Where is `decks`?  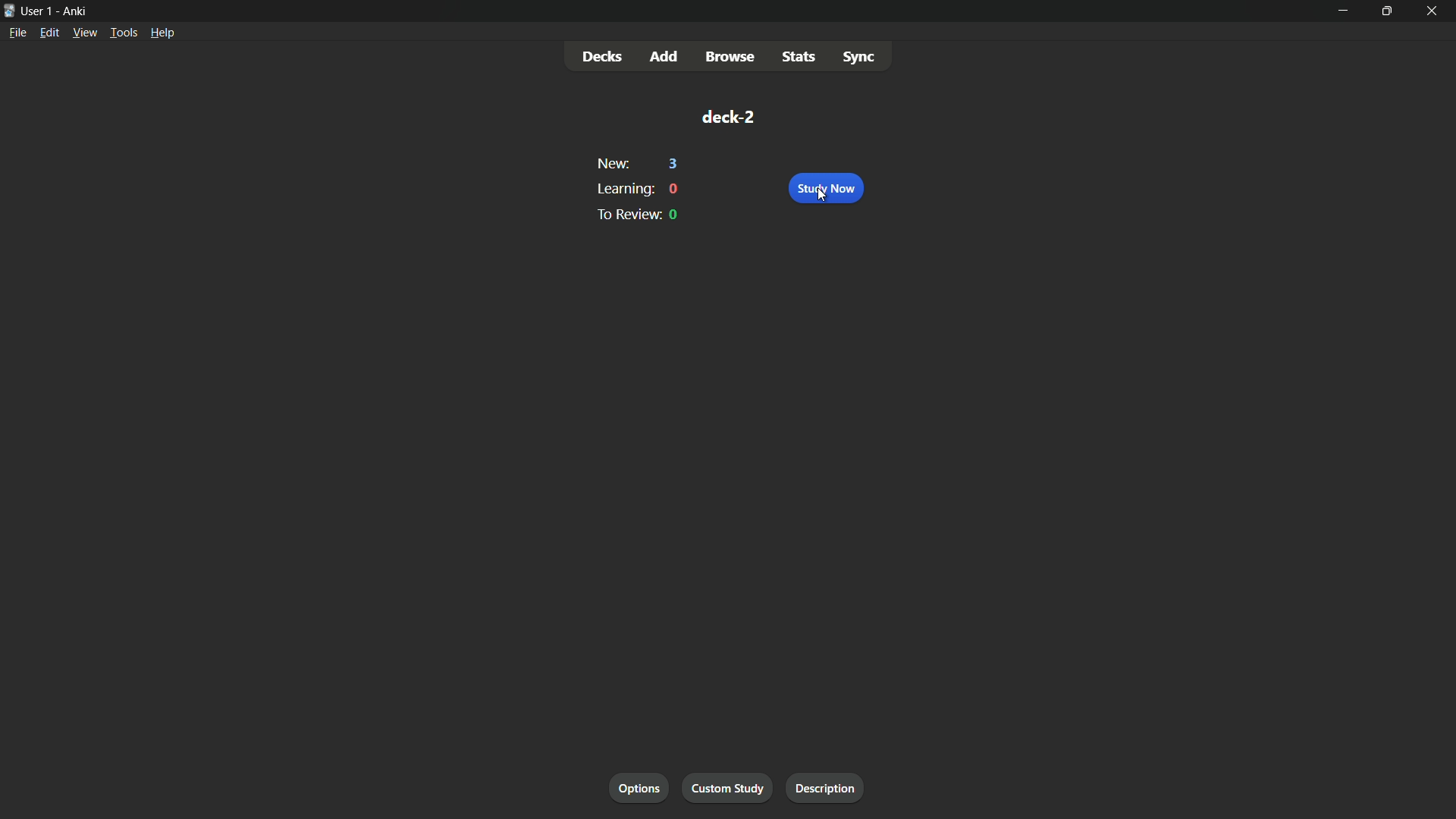
decks is located at coordinates (601, 55).